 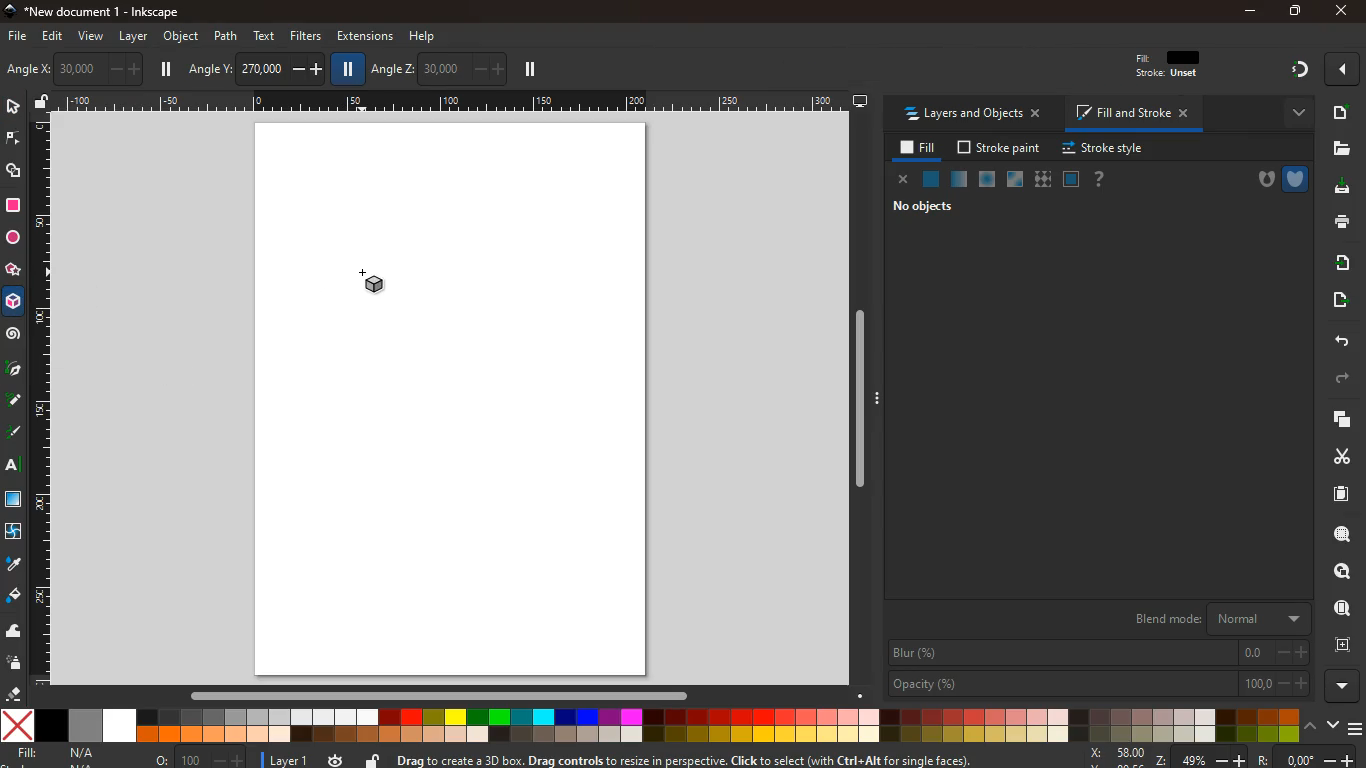 What do you see at coordinates (372, 758) in the screenshot?
I see `unlock` at bounding box center [372, 758].